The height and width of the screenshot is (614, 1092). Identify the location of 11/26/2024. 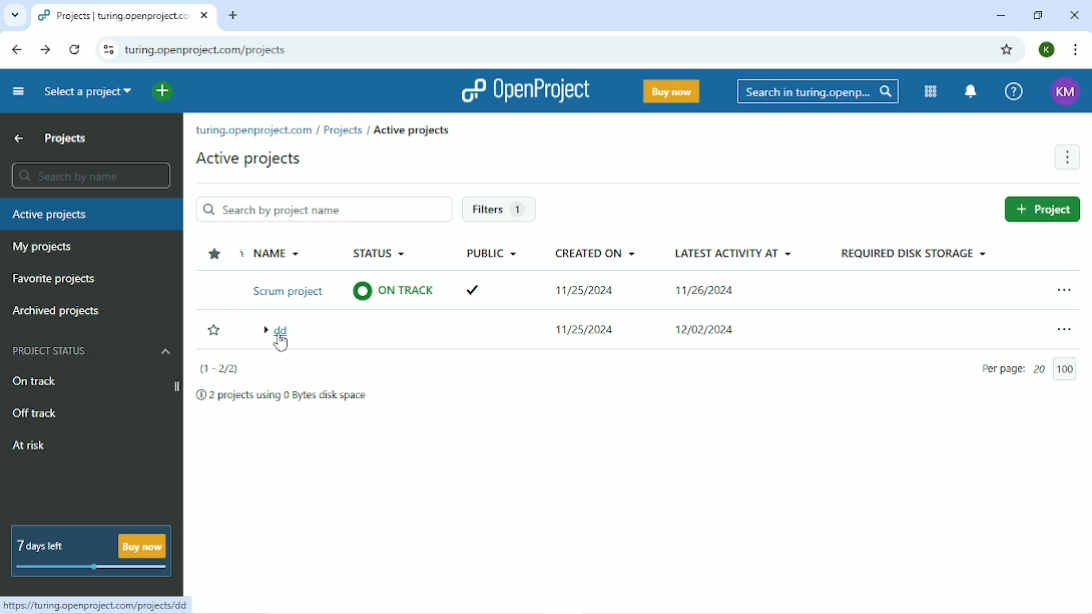
(708, 292).